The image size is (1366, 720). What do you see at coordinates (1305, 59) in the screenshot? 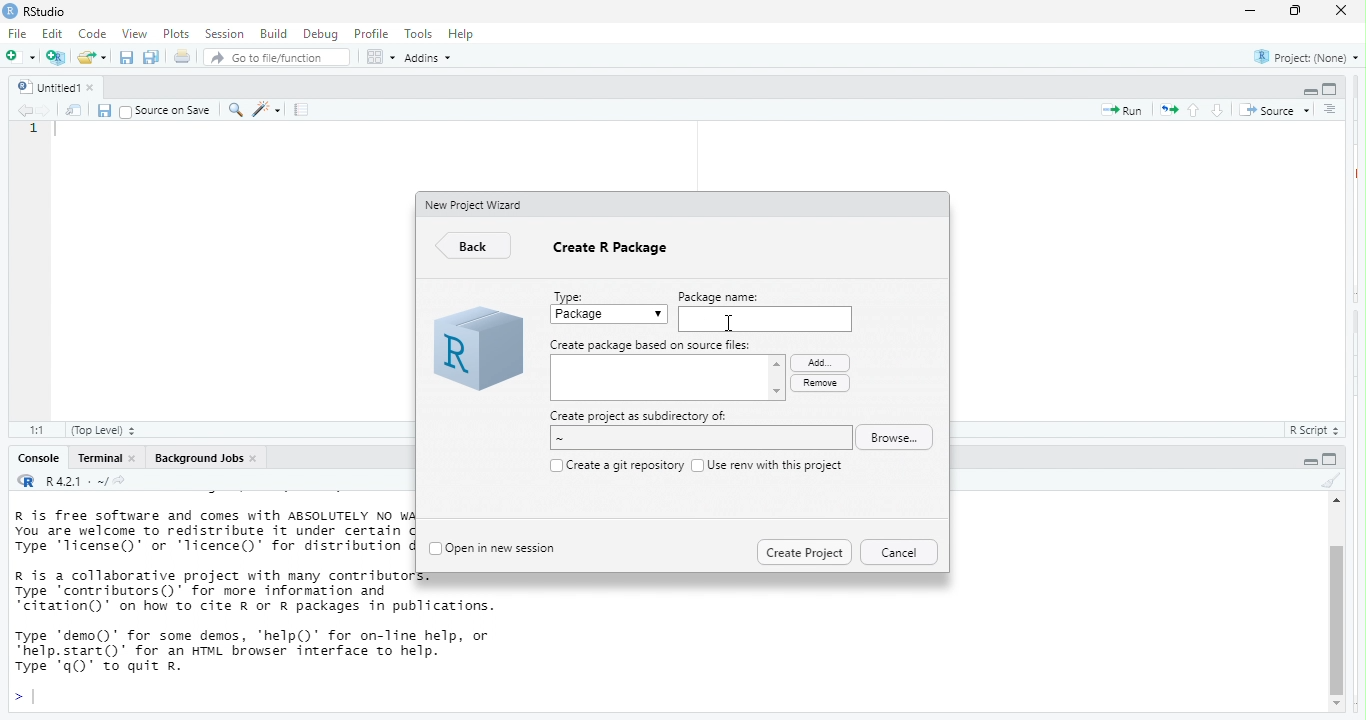
I see ` project: (None)` at bounding box center [1305, 59].